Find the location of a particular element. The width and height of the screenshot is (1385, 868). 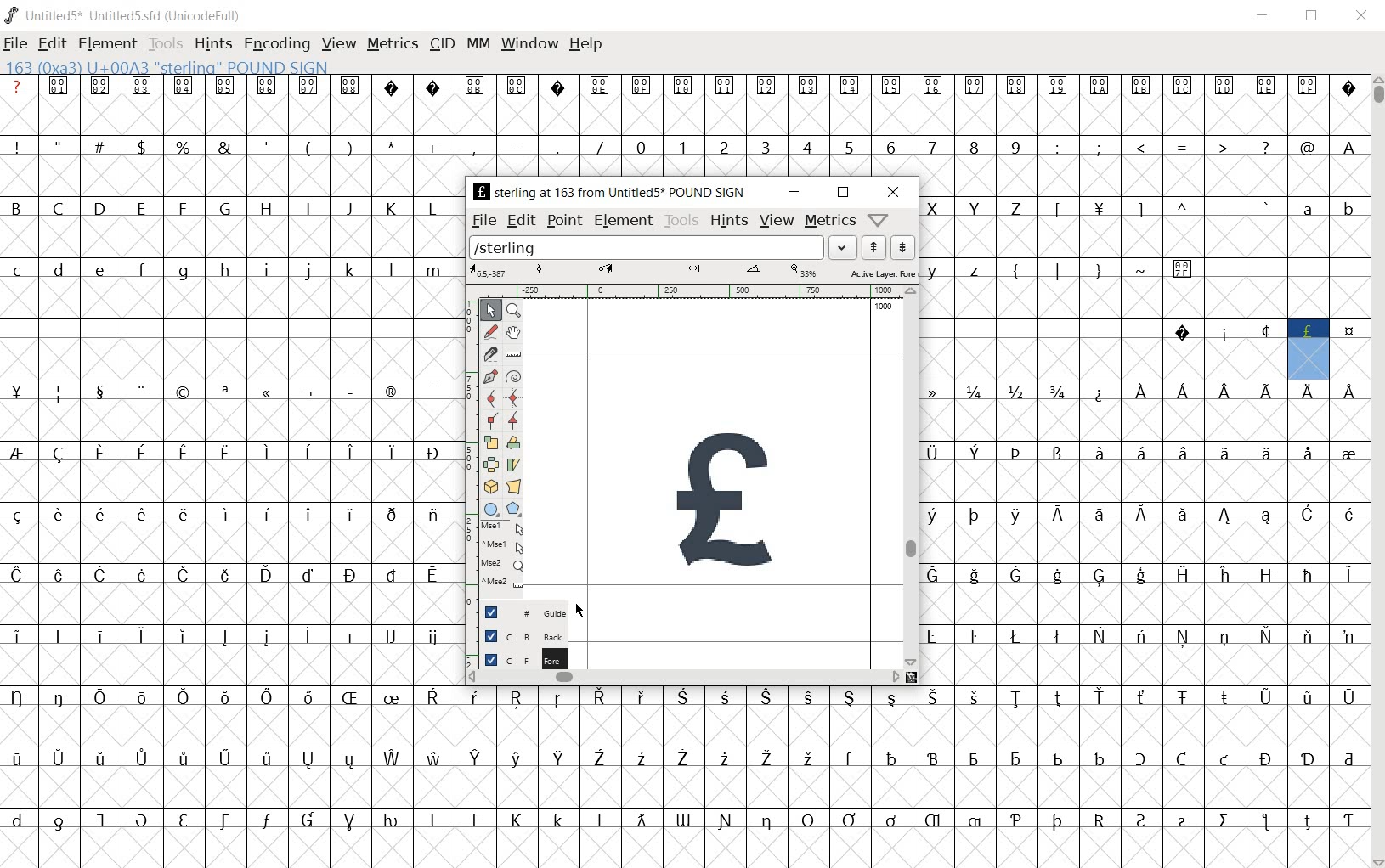

Symbol is located at coordinates (352, 86).